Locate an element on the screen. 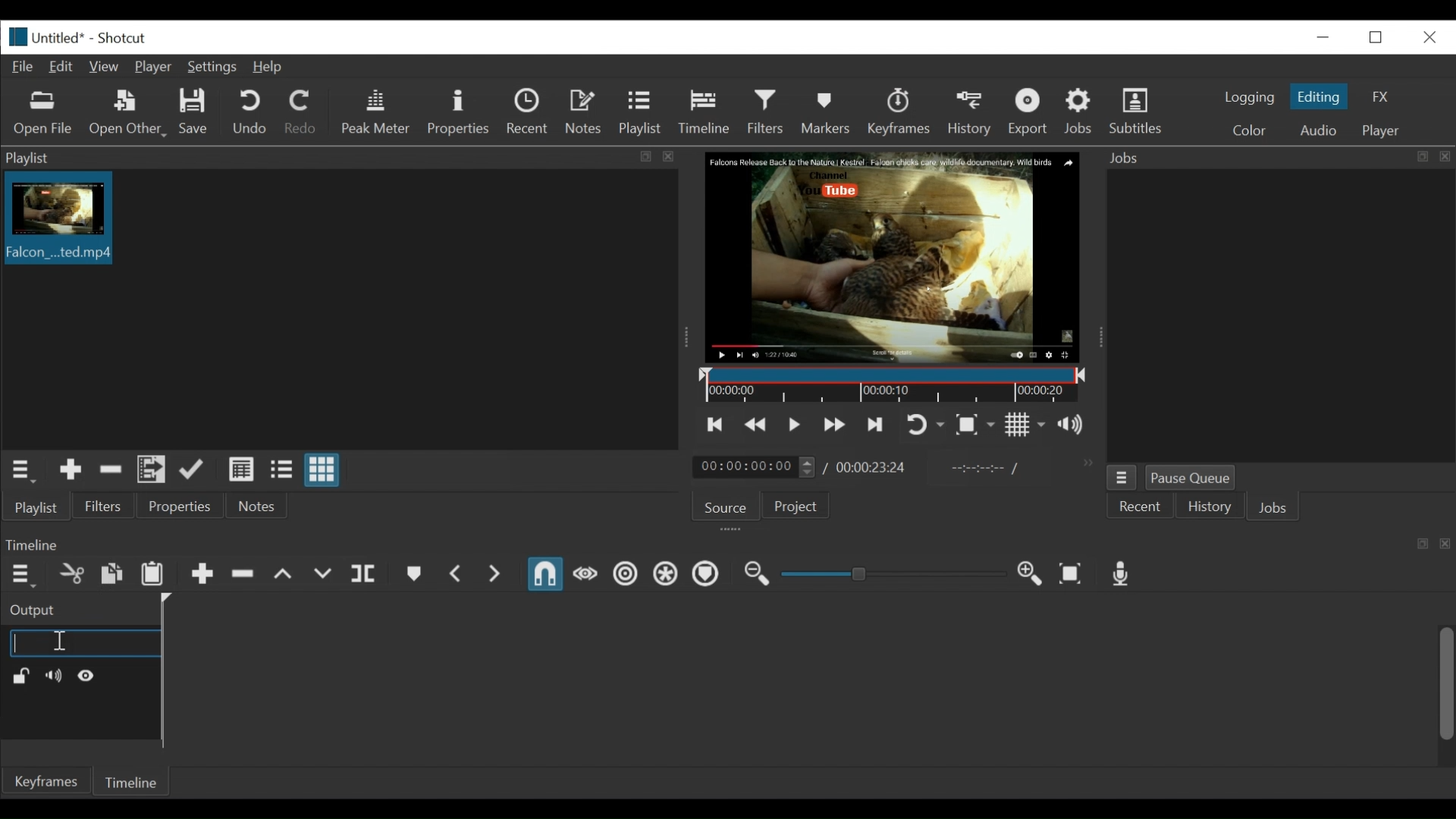  Video track name is located at coordinates (83, 645).